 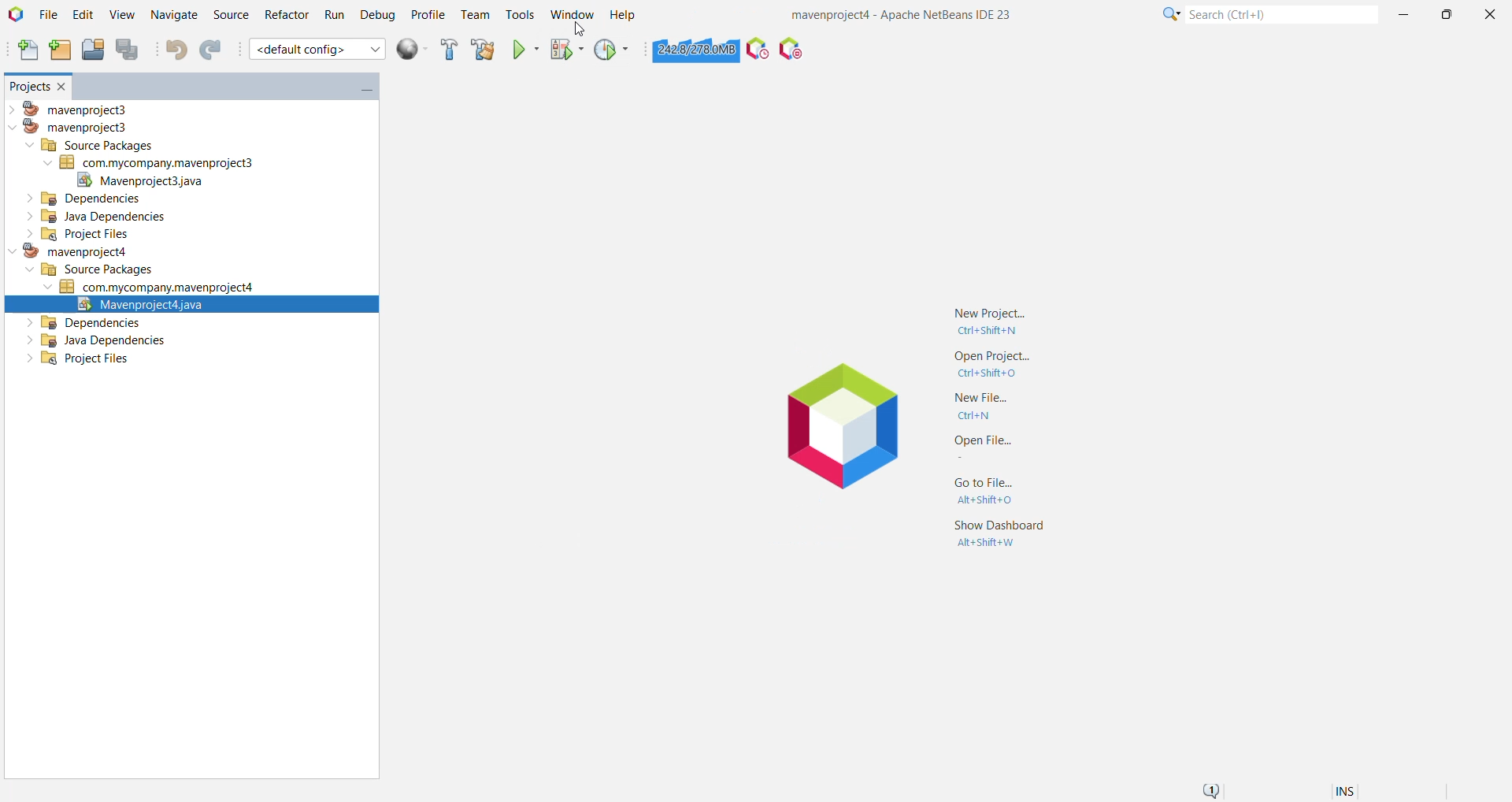 I want to click on Pause I/O Checks, so click(x=791, y=50).